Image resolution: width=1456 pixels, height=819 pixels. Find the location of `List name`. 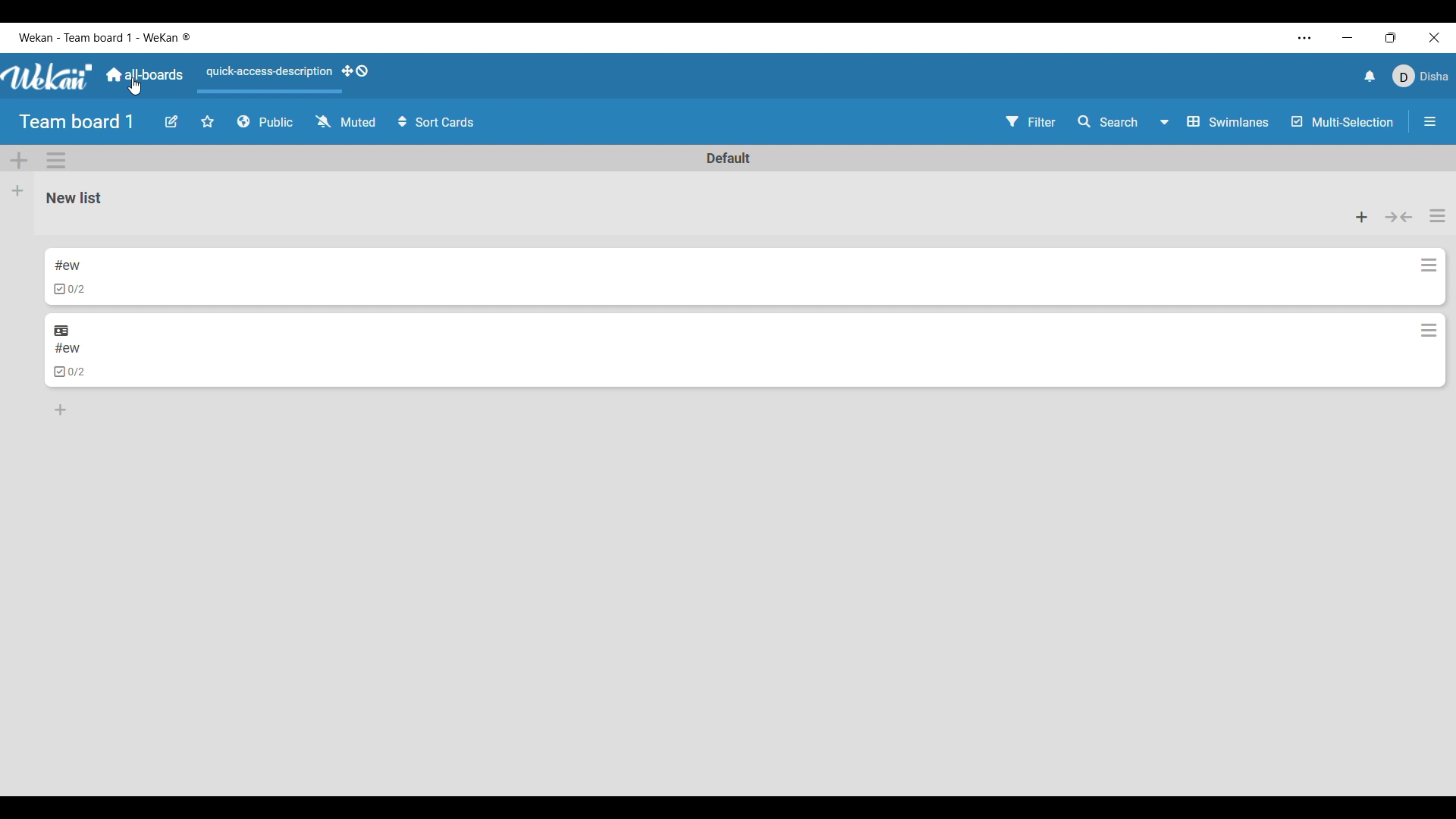

List name is located at coordinates (75, 198).